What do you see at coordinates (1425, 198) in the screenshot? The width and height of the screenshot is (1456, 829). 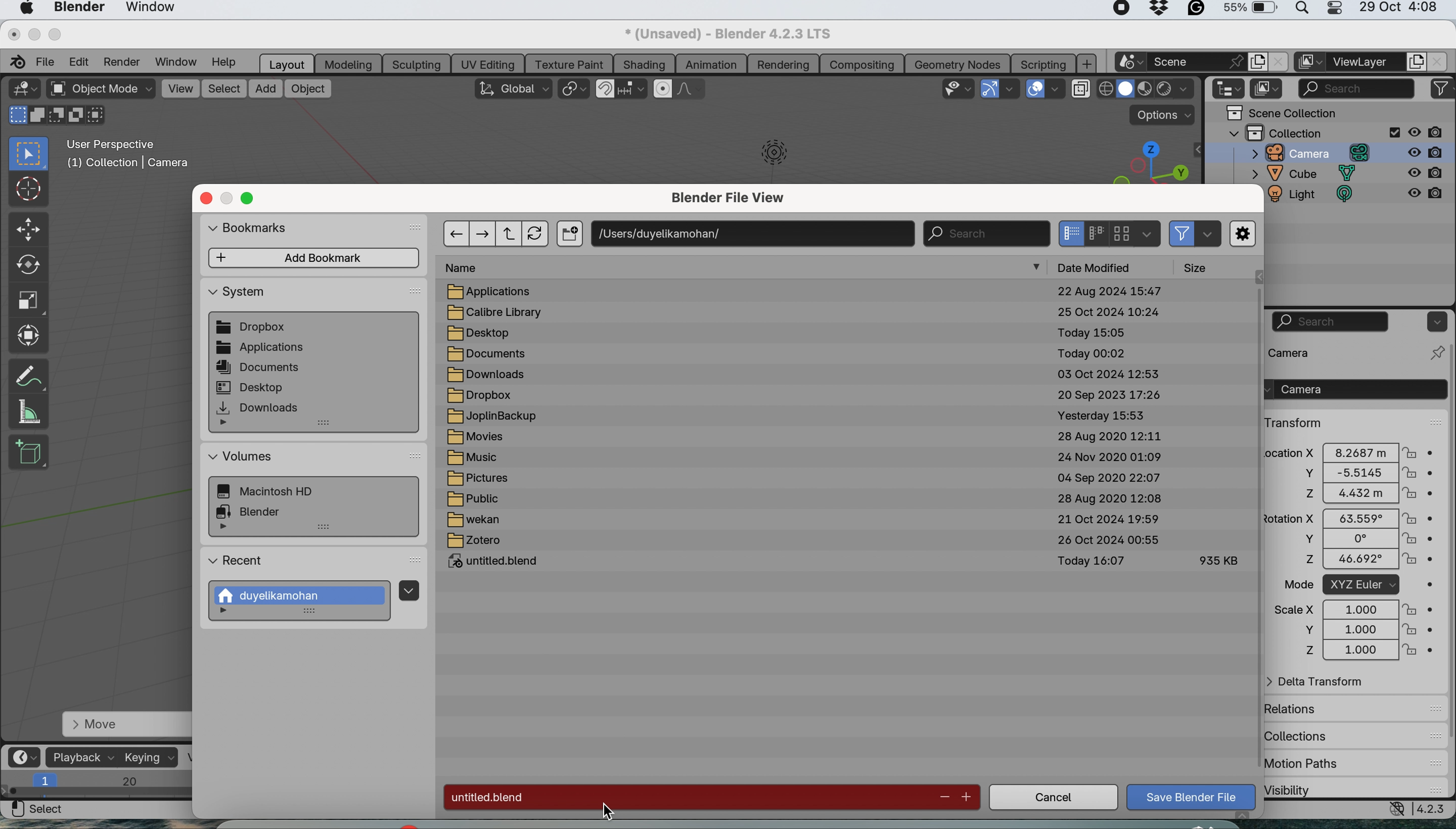 I see `disable in render` at bounding box center [1425, 198].